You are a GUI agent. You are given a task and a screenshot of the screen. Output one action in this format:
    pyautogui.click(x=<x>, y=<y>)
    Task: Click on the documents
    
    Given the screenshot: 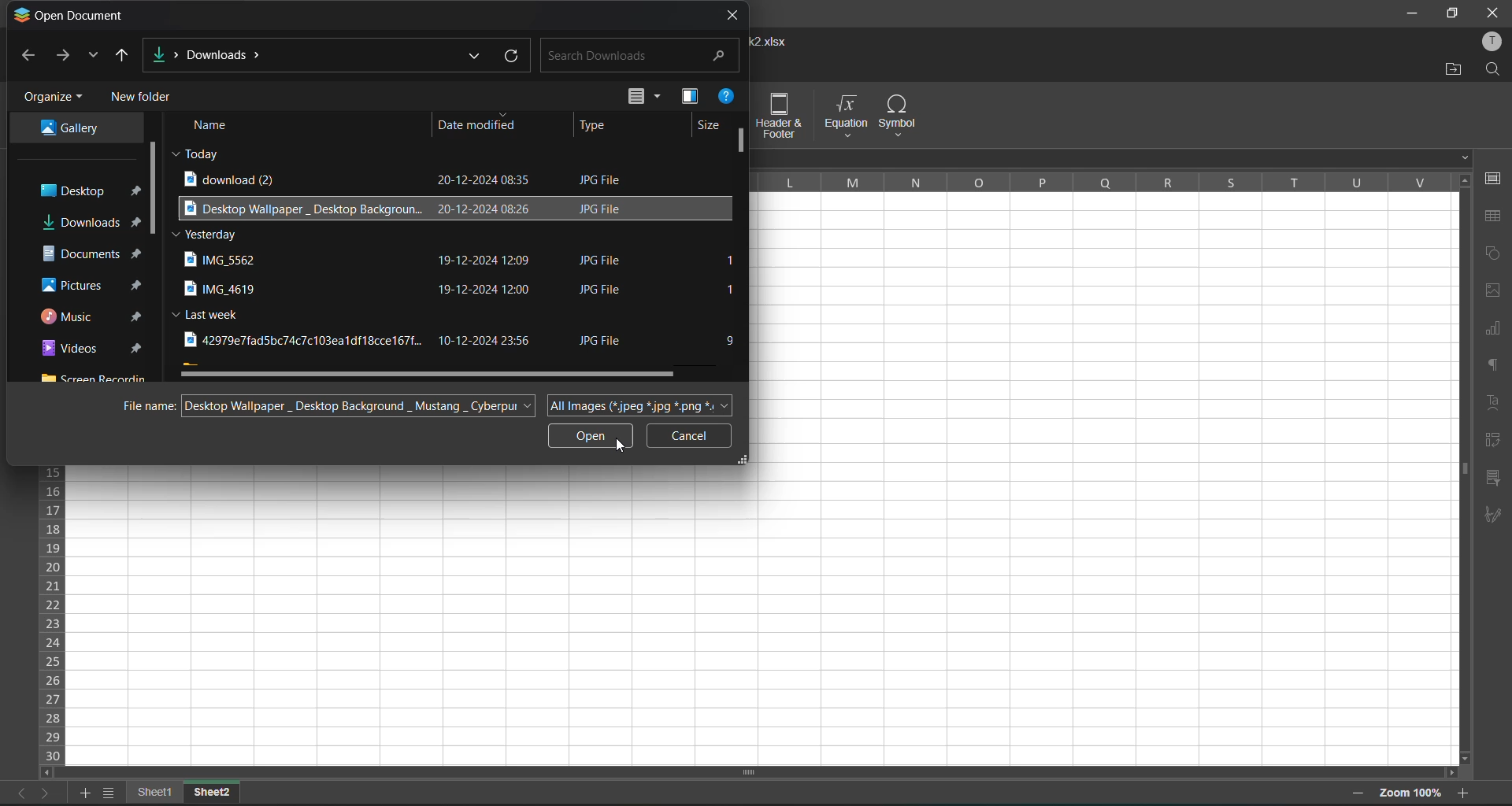 What is the action you would take?
    pyautogui.click(x=88, y=254)
    